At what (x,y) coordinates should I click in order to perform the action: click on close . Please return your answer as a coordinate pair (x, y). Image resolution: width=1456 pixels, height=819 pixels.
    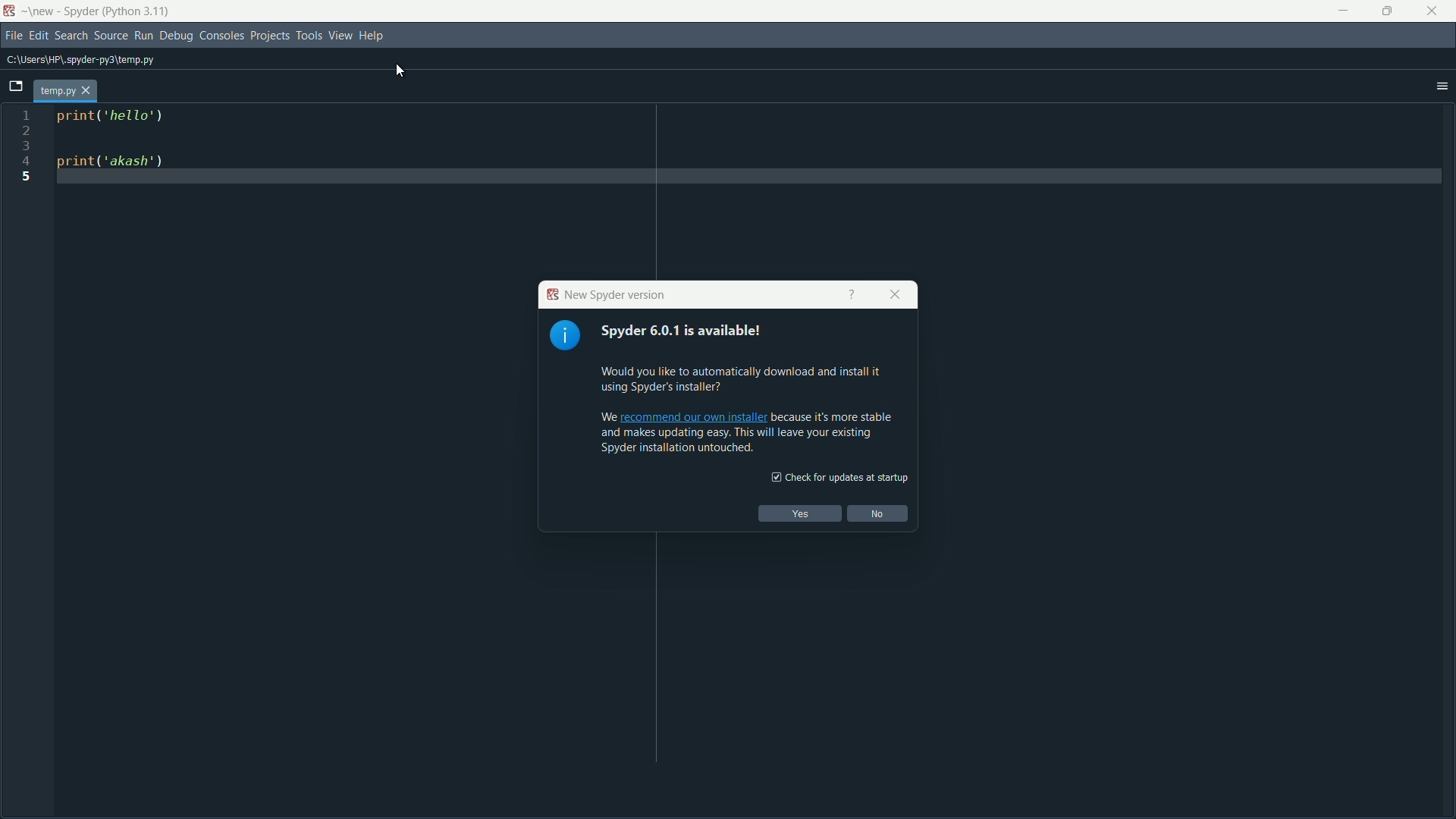
    Looking at the image, I should click on (1433, 11).